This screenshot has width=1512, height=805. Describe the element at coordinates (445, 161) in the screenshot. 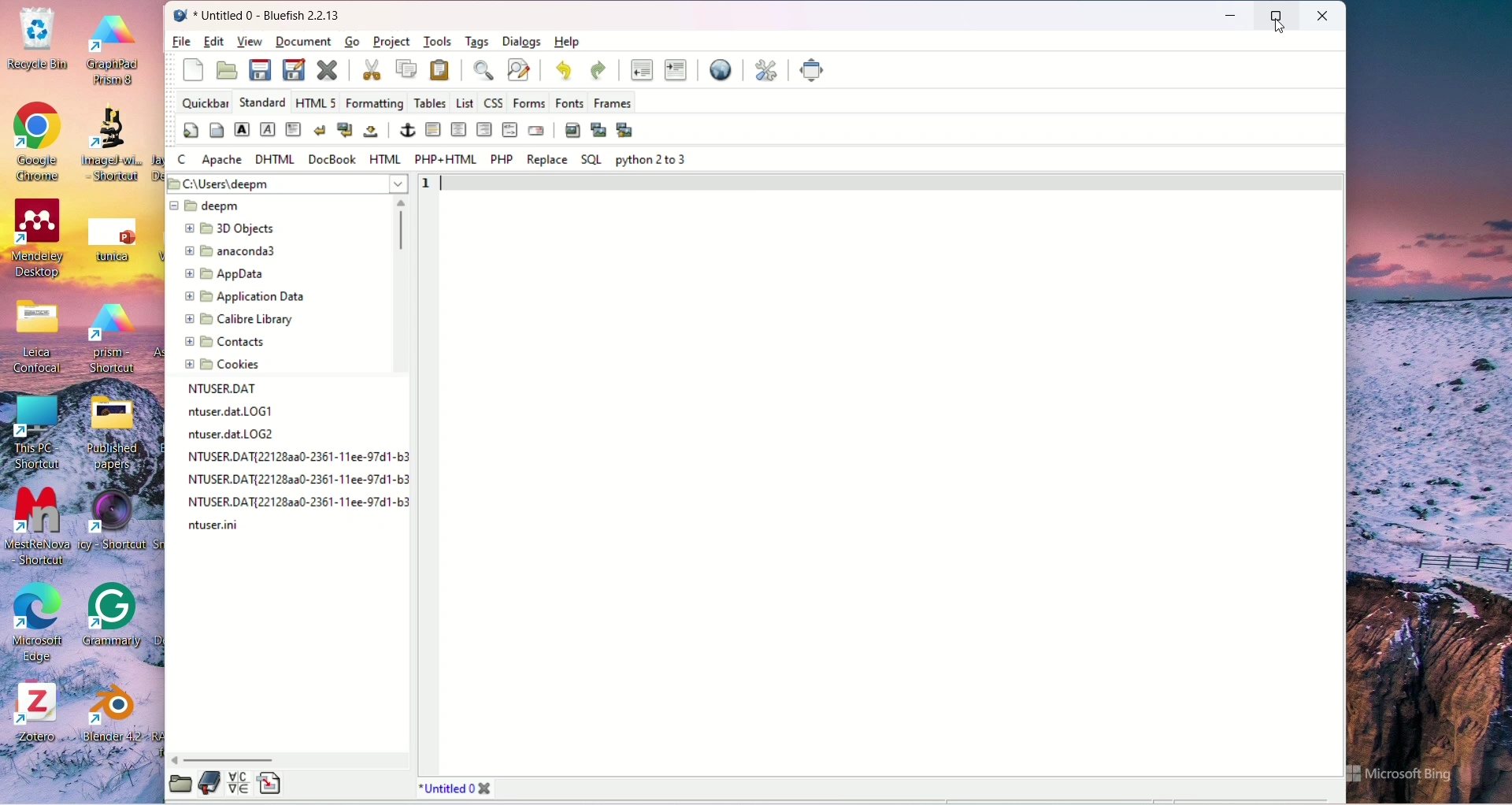

I see `PHP+HTML` at that location.